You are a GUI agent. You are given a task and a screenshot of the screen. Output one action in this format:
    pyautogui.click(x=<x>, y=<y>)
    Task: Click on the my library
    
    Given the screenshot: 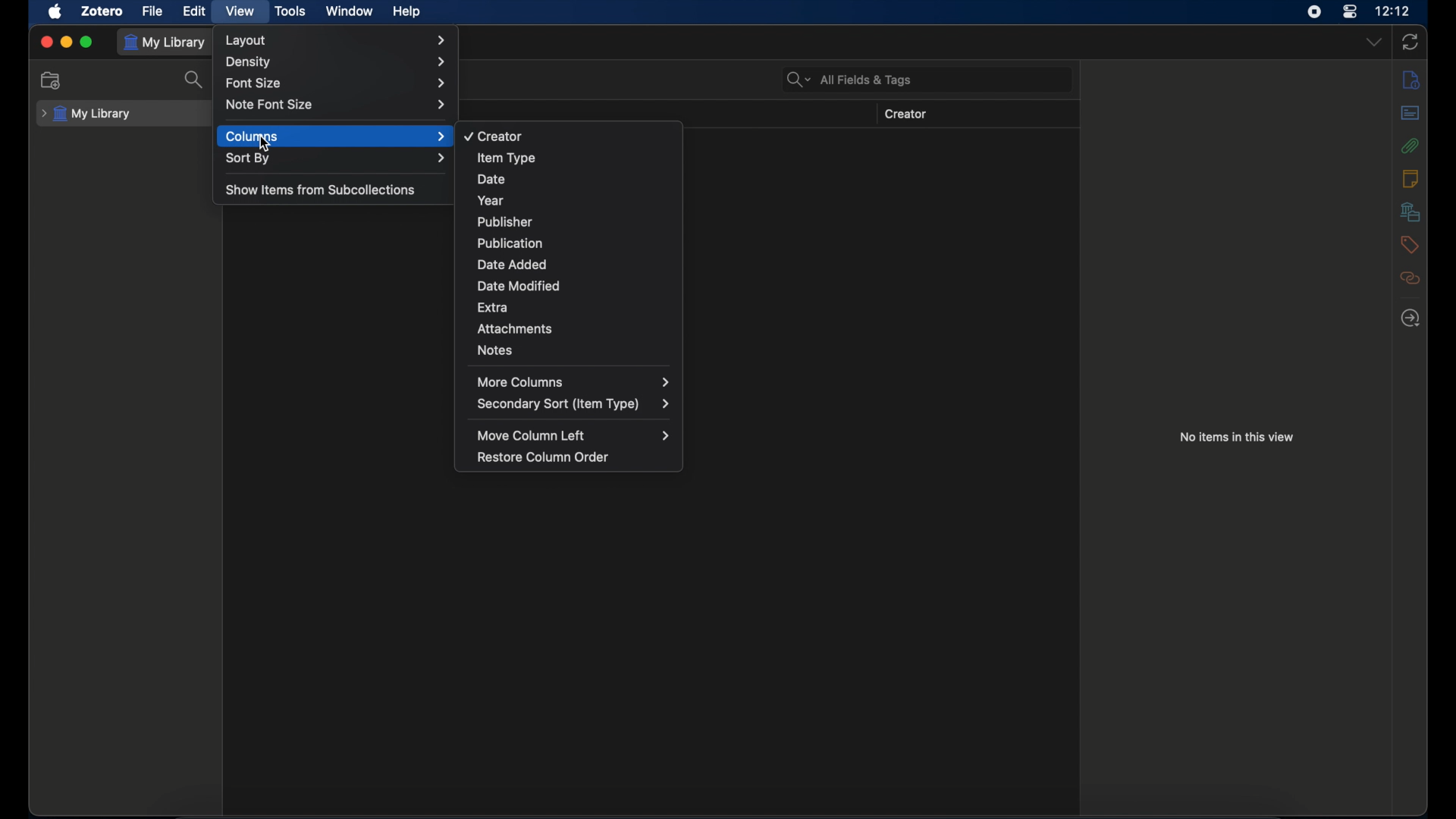 What is the action you would take?
    pyautogui.click(x=167, y=42)
    